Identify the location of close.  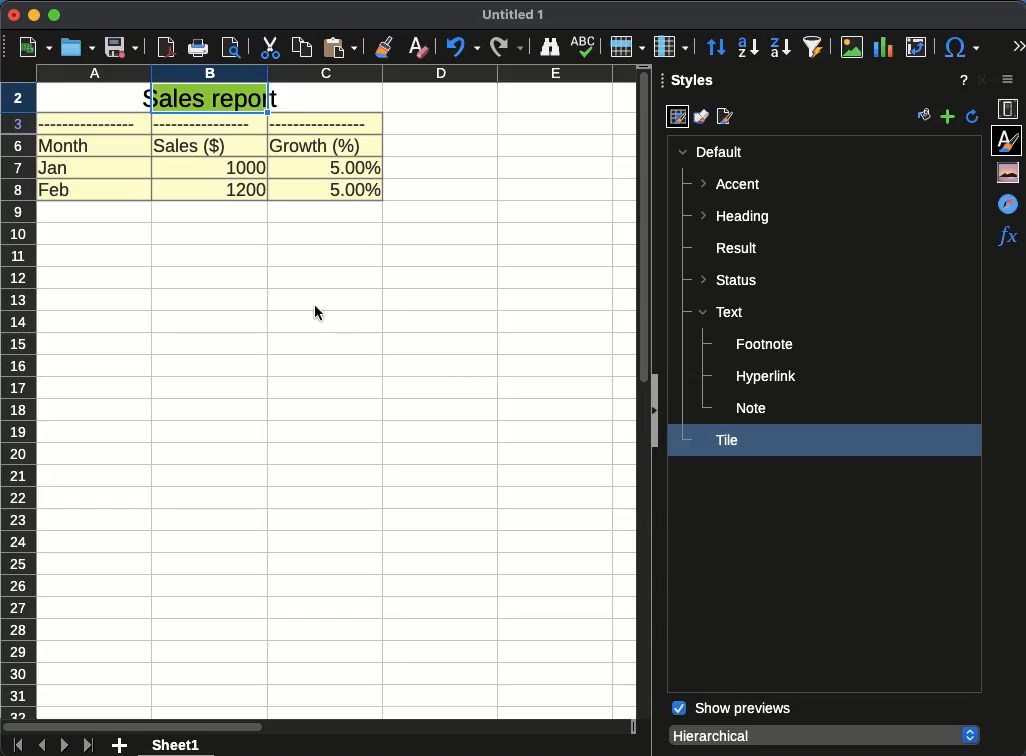
(13, 16).